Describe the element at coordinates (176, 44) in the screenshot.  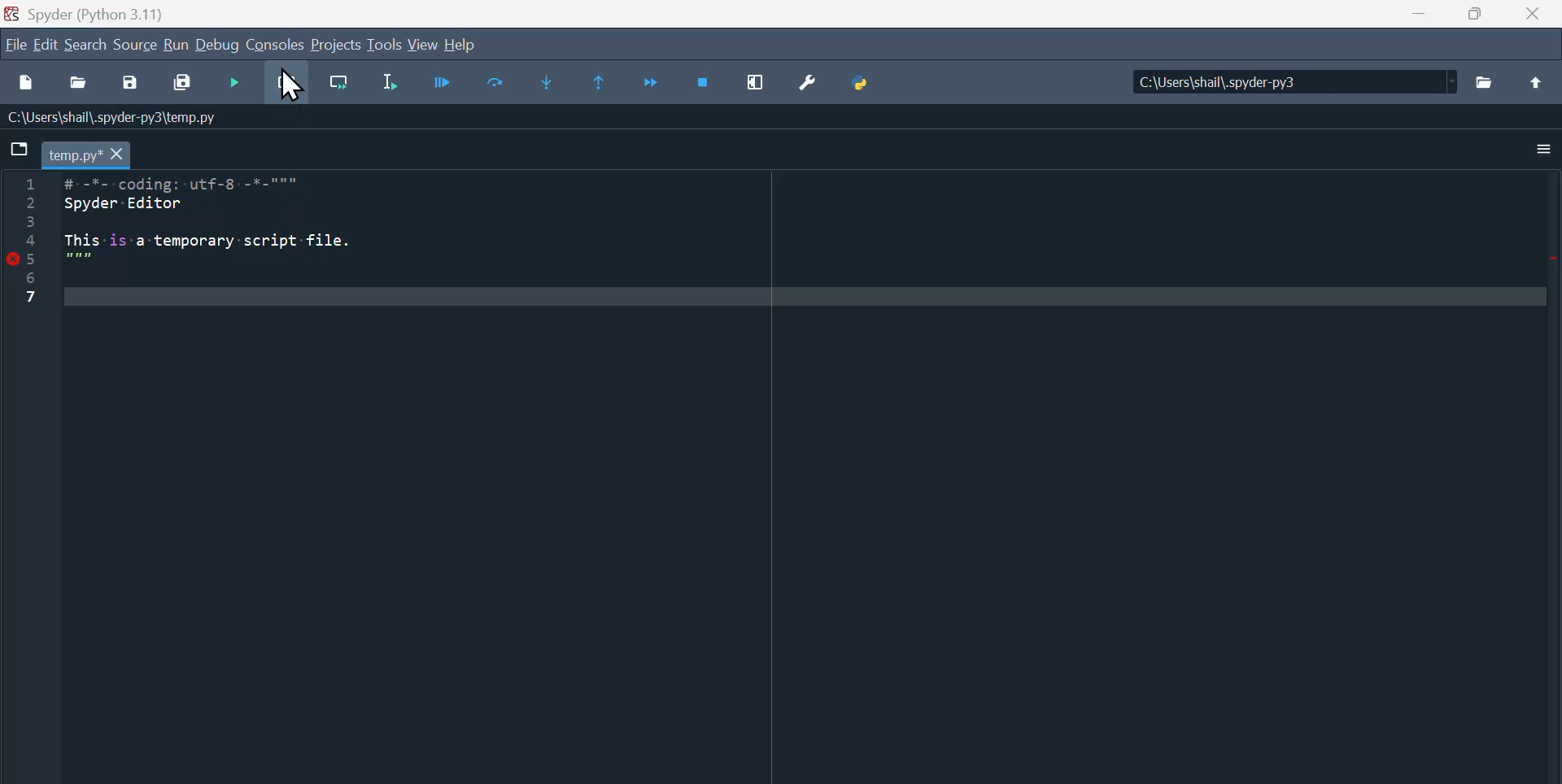
I see `Run` at that location.